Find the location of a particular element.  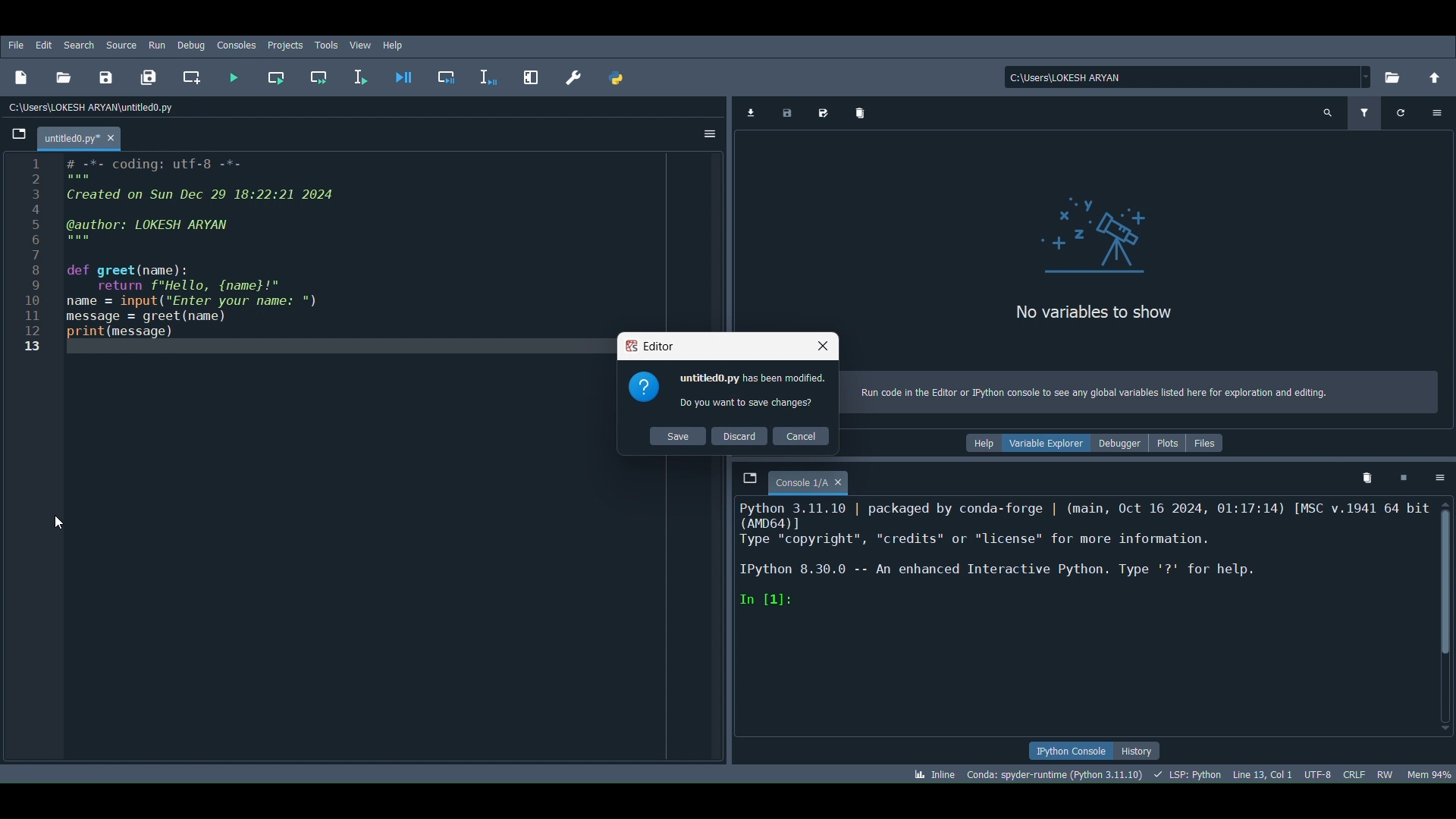

Import data is located at coordinates (751, 113).